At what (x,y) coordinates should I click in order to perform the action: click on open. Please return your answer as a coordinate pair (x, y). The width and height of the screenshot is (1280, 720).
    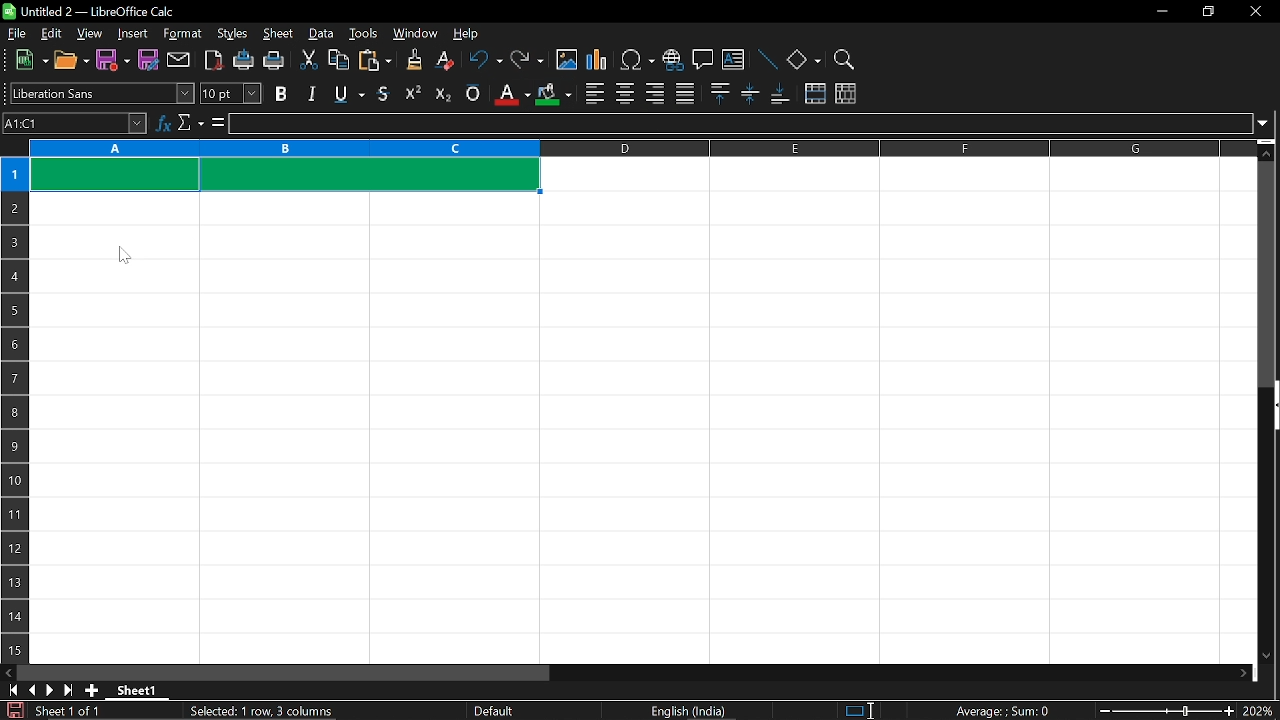
    Looking at the image, I should click on (71, 62).